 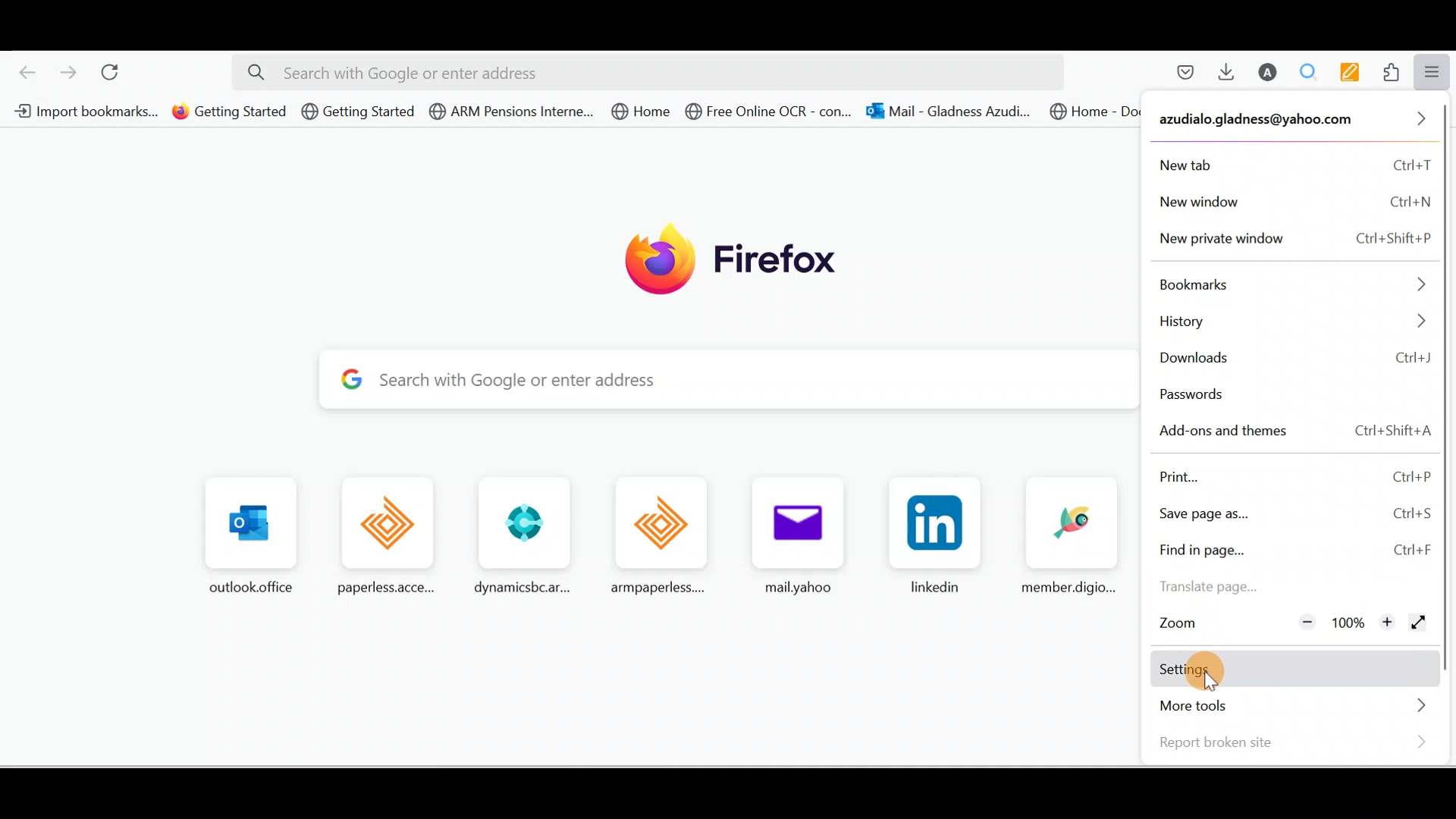 What do you see at coordinates (1301, 744) in the screenshot?
I see `Report broken site` at bounding box center [1301, 744].